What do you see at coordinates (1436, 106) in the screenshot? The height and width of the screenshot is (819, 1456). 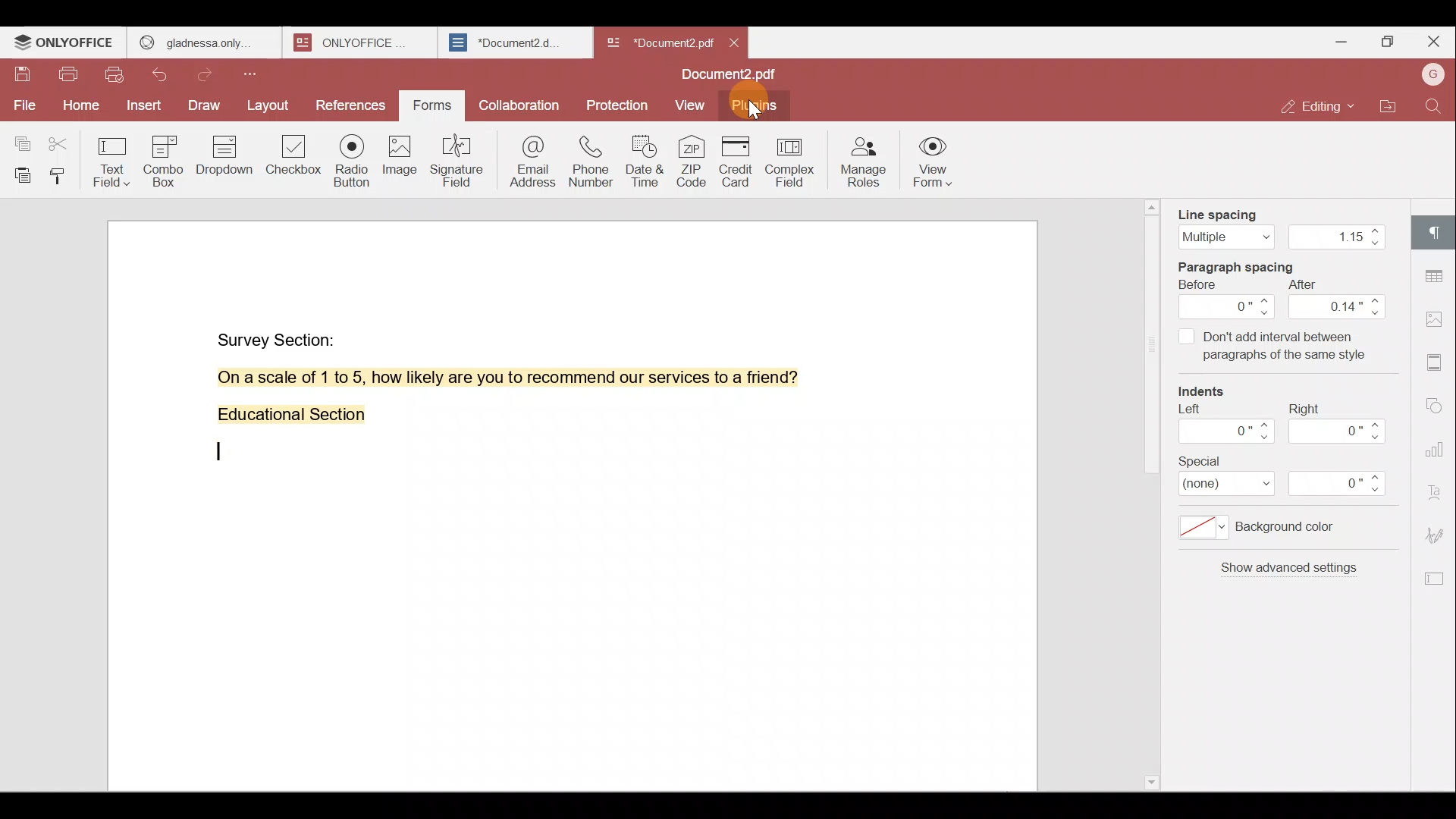 I see `Find` at bounding box center [1436, 106].